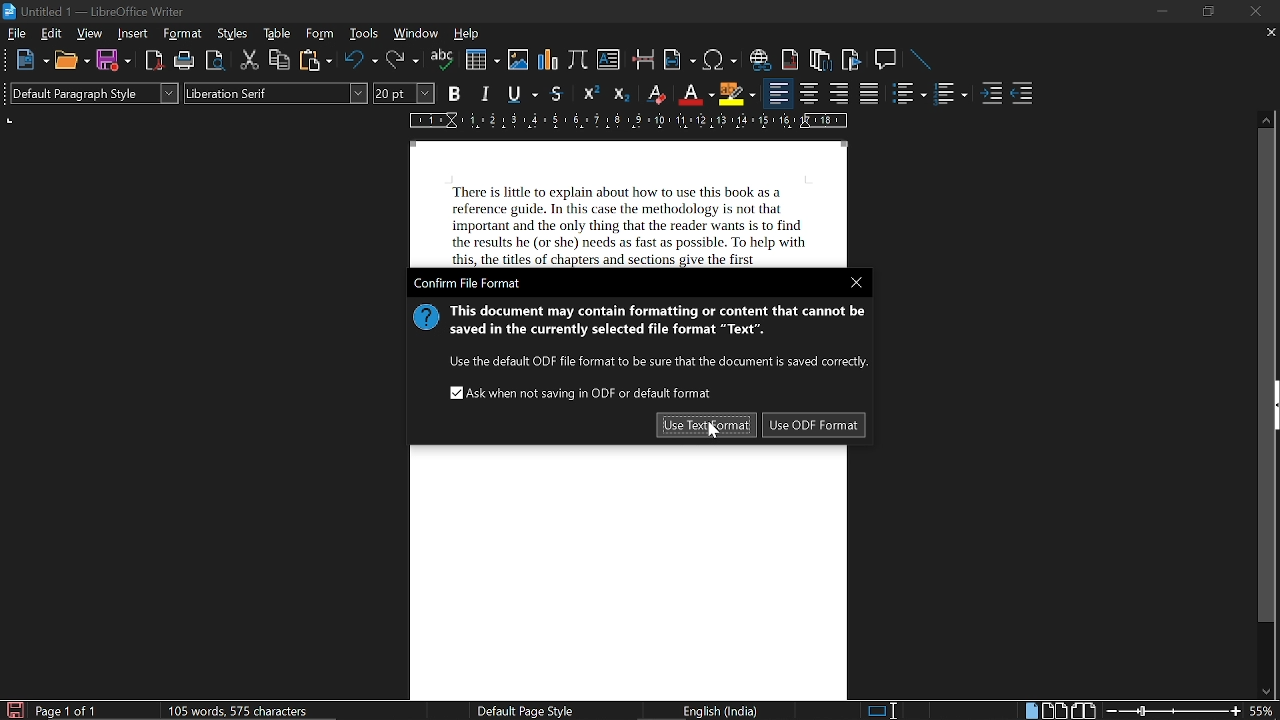 The width and height of the screenshot is (1280, 720). Describe the element at coordinates (279, 61) in the screenshot. I see `copy` at that location.